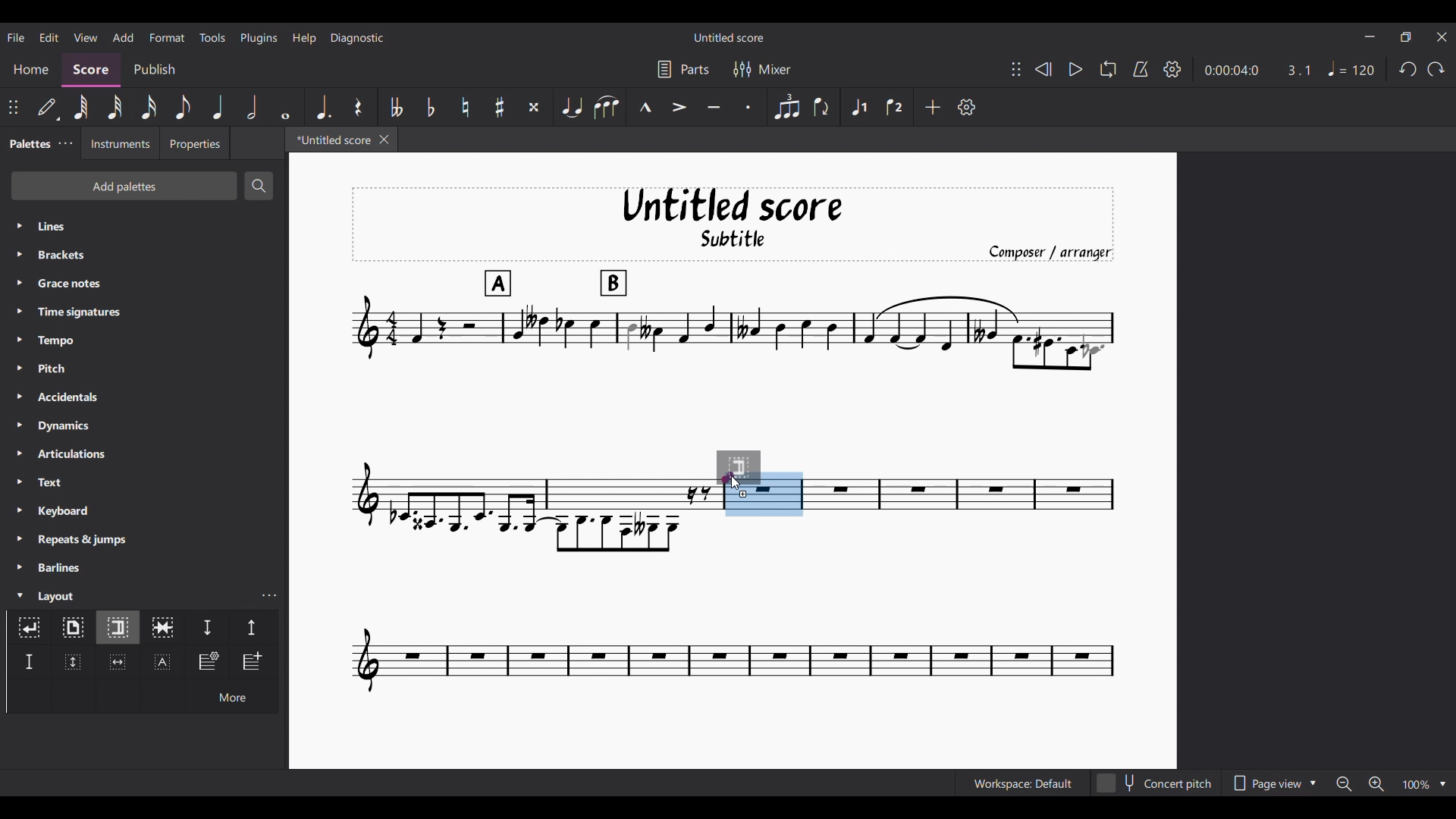  Describe the element at coordinates (29, 662) in the screenshot. I see `Staff spacer fixed down` at that location.